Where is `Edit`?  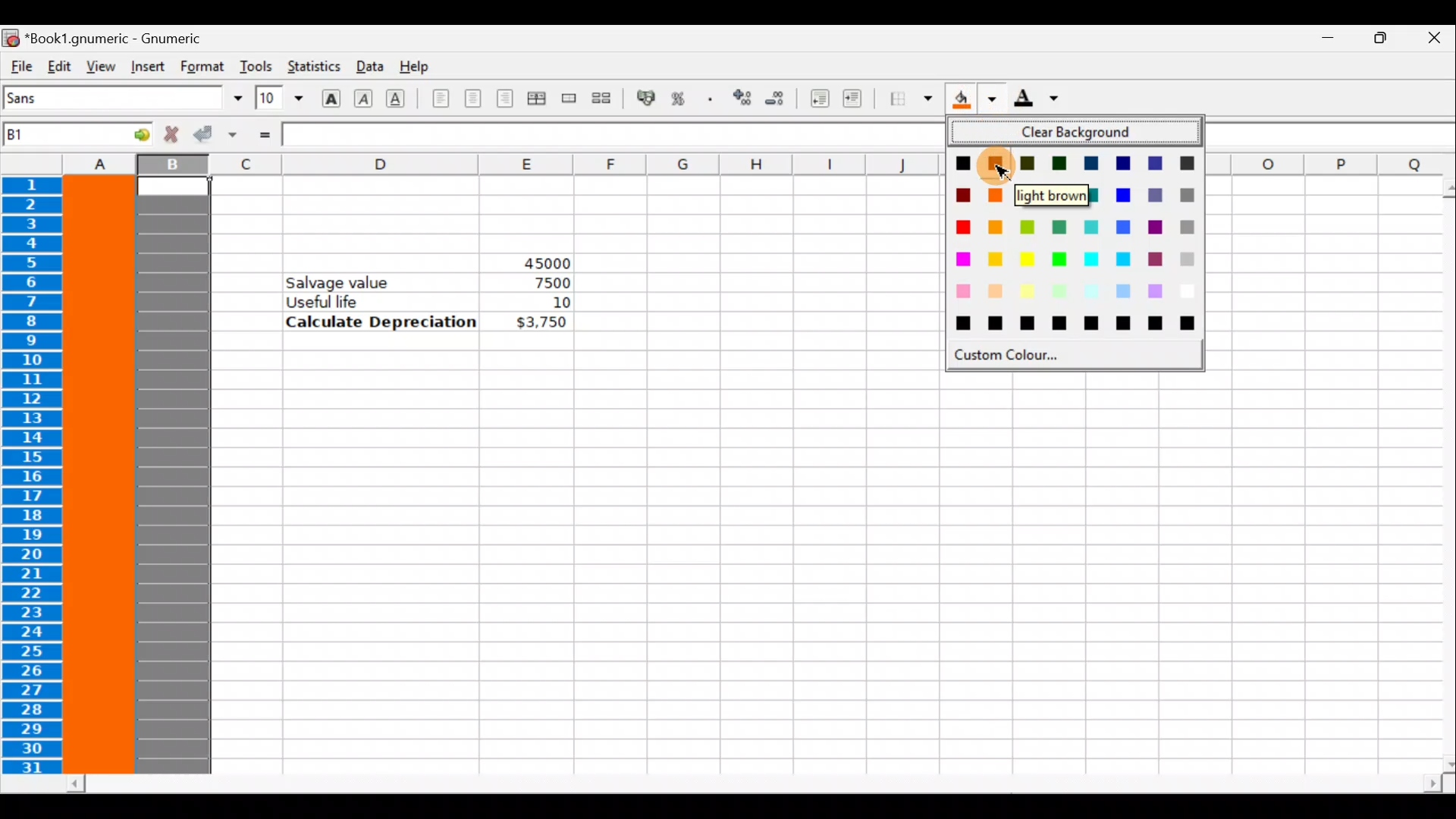
Edit is located at coordinates (59, 65).